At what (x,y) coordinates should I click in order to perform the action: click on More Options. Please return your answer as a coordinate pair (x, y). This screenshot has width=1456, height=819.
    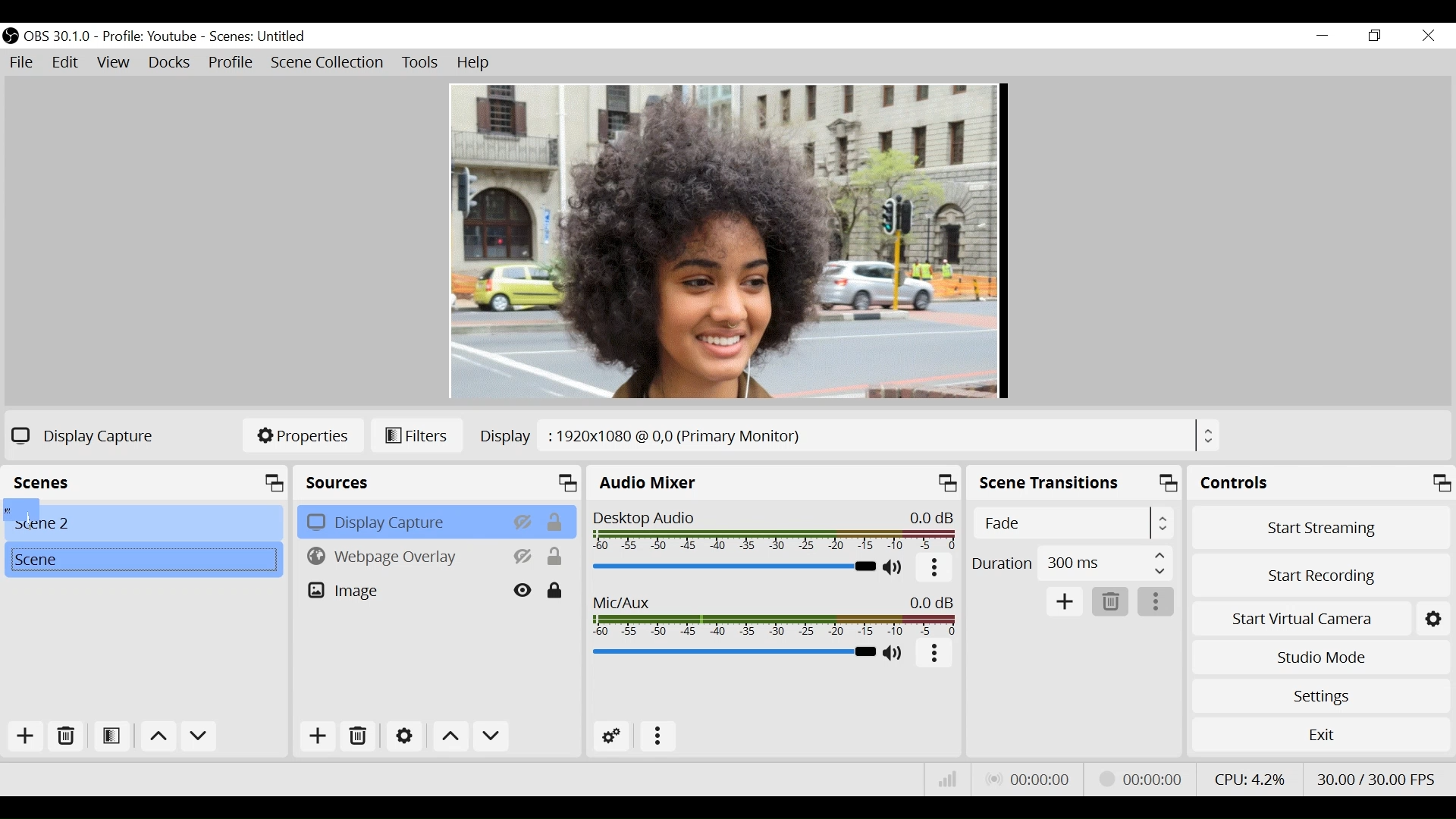
    Looking at the image, I should click on (935, 570).